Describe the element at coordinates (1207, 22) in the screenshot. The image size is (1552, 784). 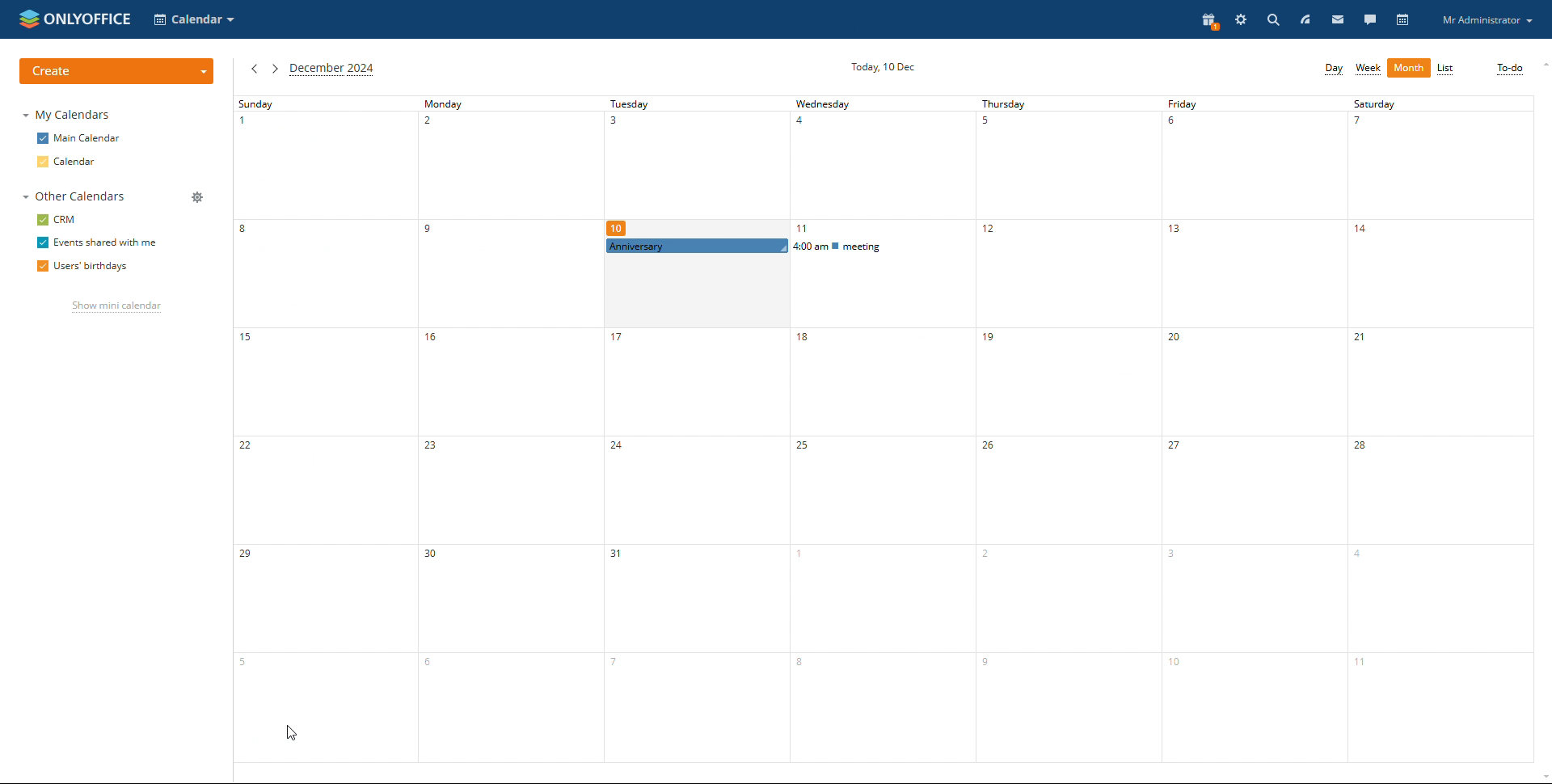
I see `present` at that location.